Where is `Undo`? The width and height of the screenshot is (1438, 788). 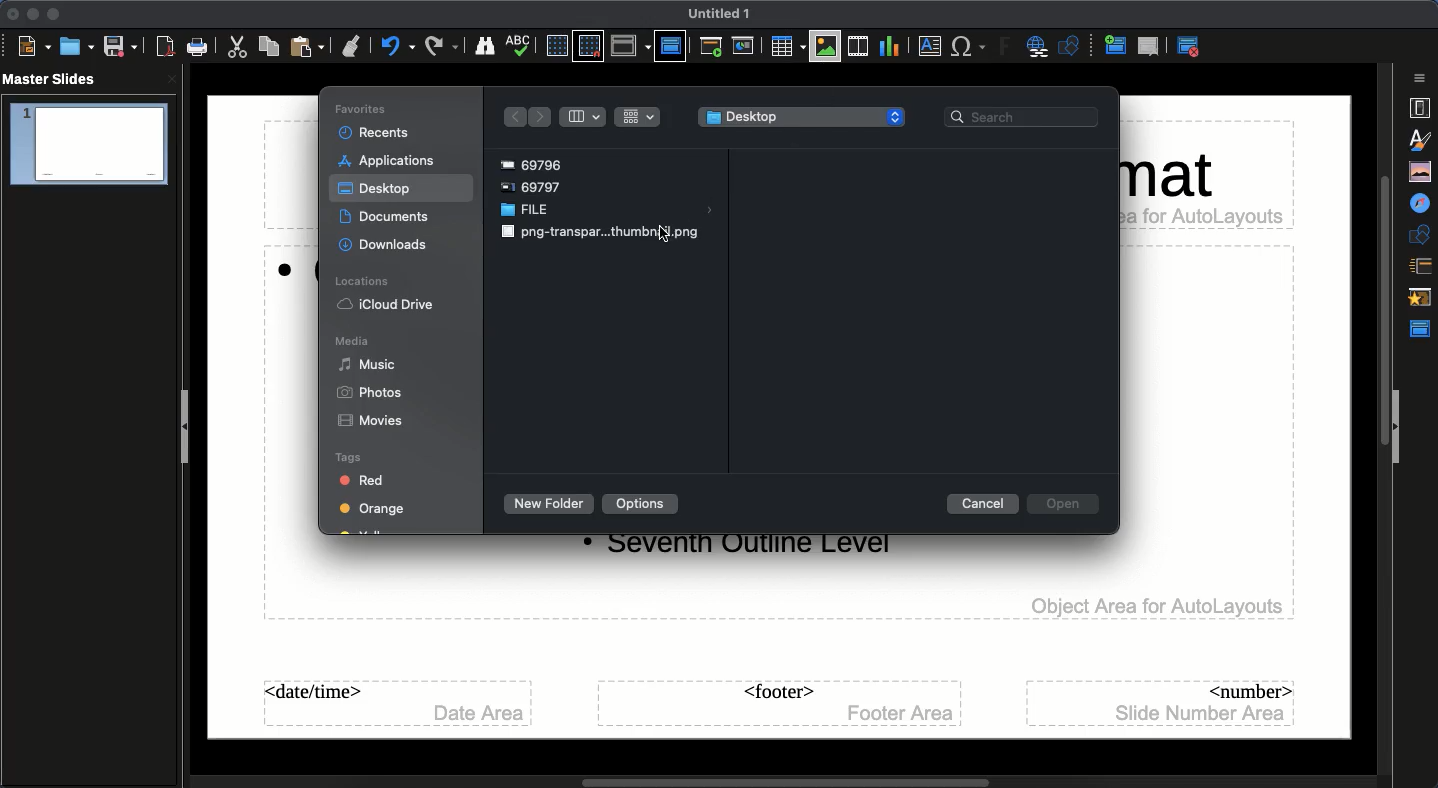 Undo is located at coordinates (397, 46).